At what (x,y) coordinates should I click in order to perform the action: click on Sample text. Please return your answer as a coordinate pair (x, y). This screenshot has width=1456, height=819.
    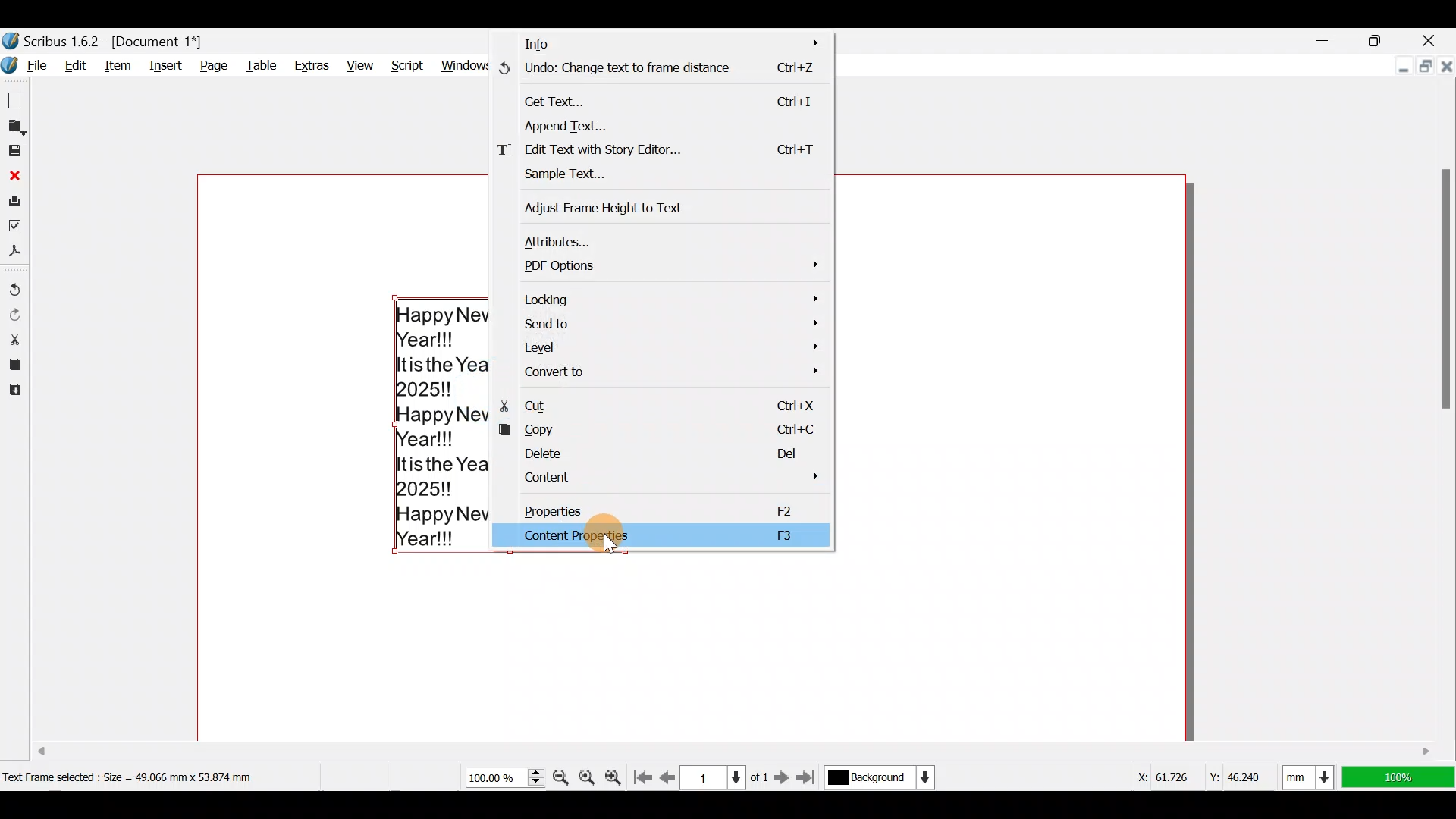
    Looking at the image, I should click on (595, 177).